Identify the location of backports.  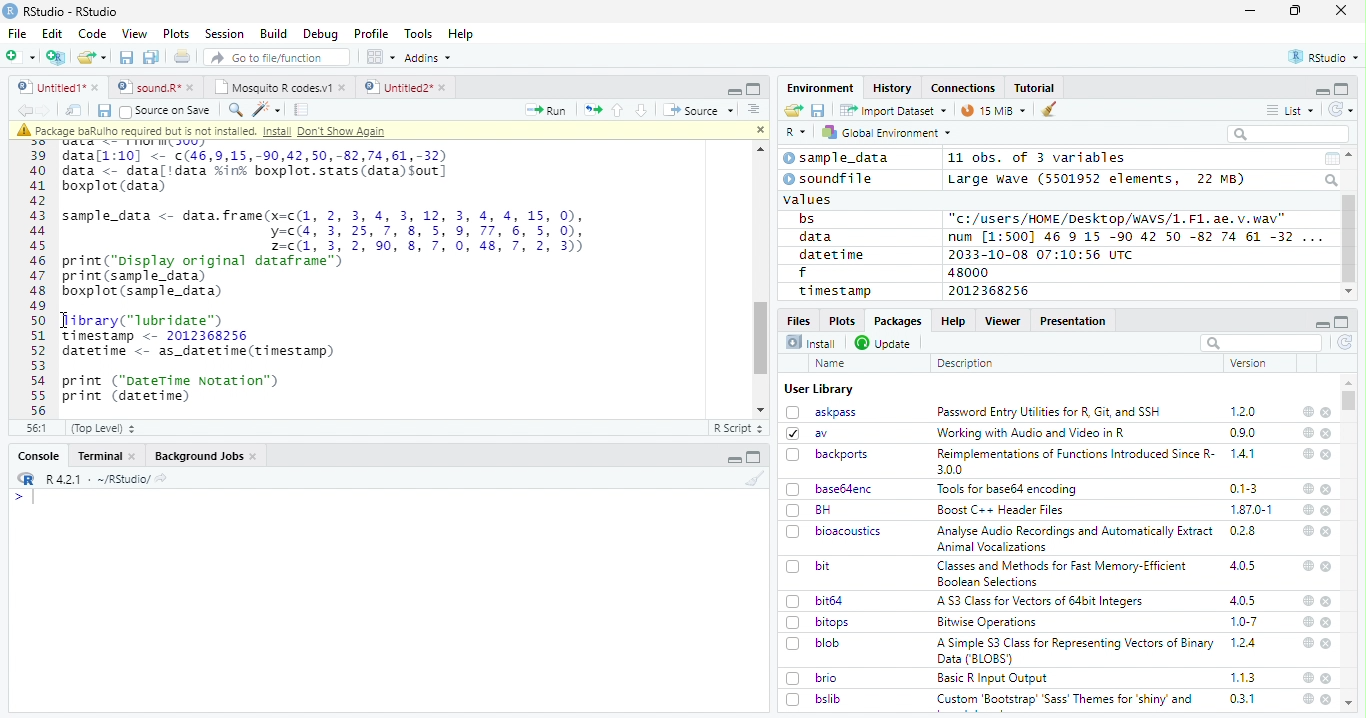
(830, 455).